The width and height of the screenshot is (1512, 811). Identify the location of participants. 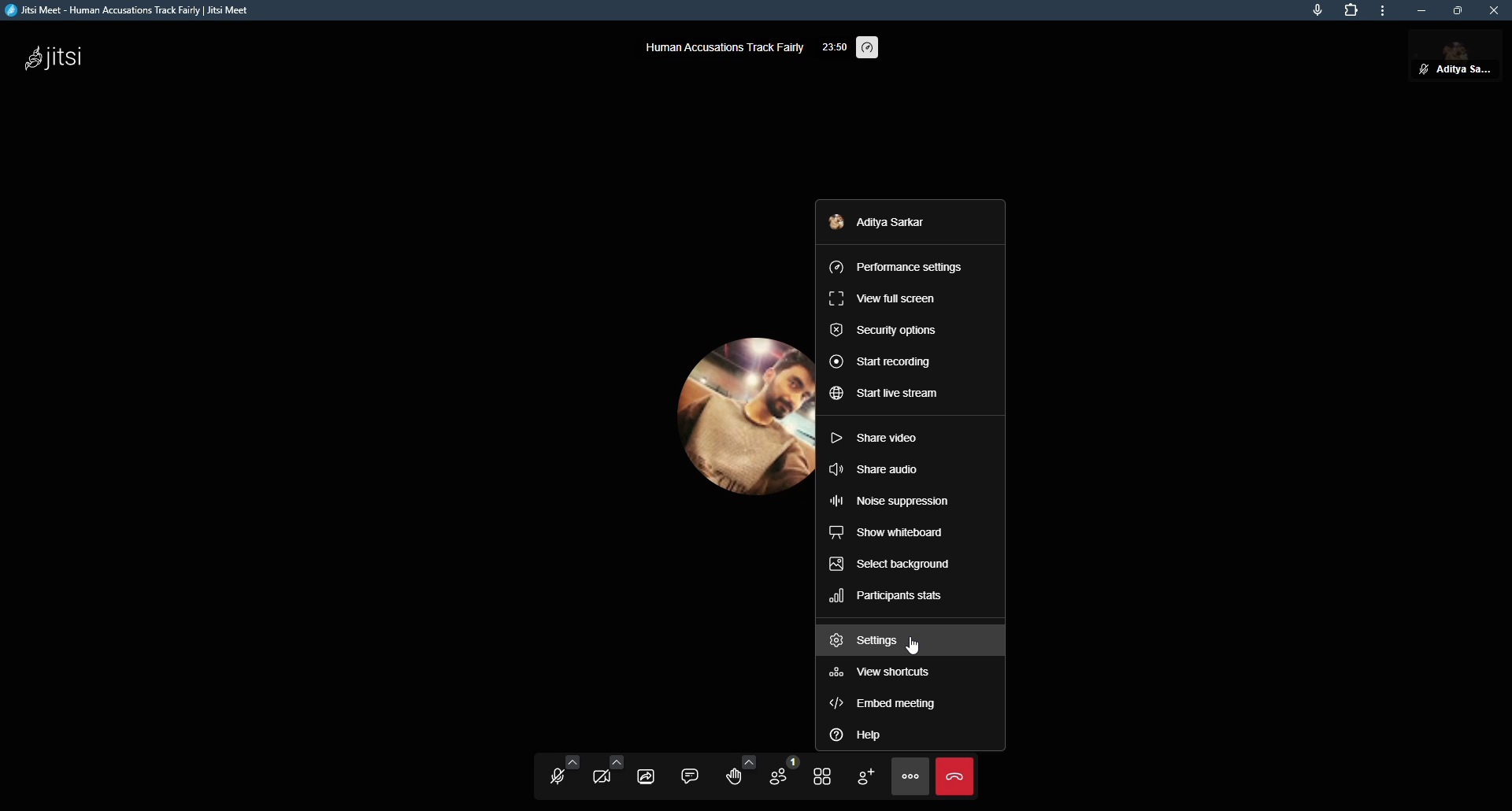
(777, 775).